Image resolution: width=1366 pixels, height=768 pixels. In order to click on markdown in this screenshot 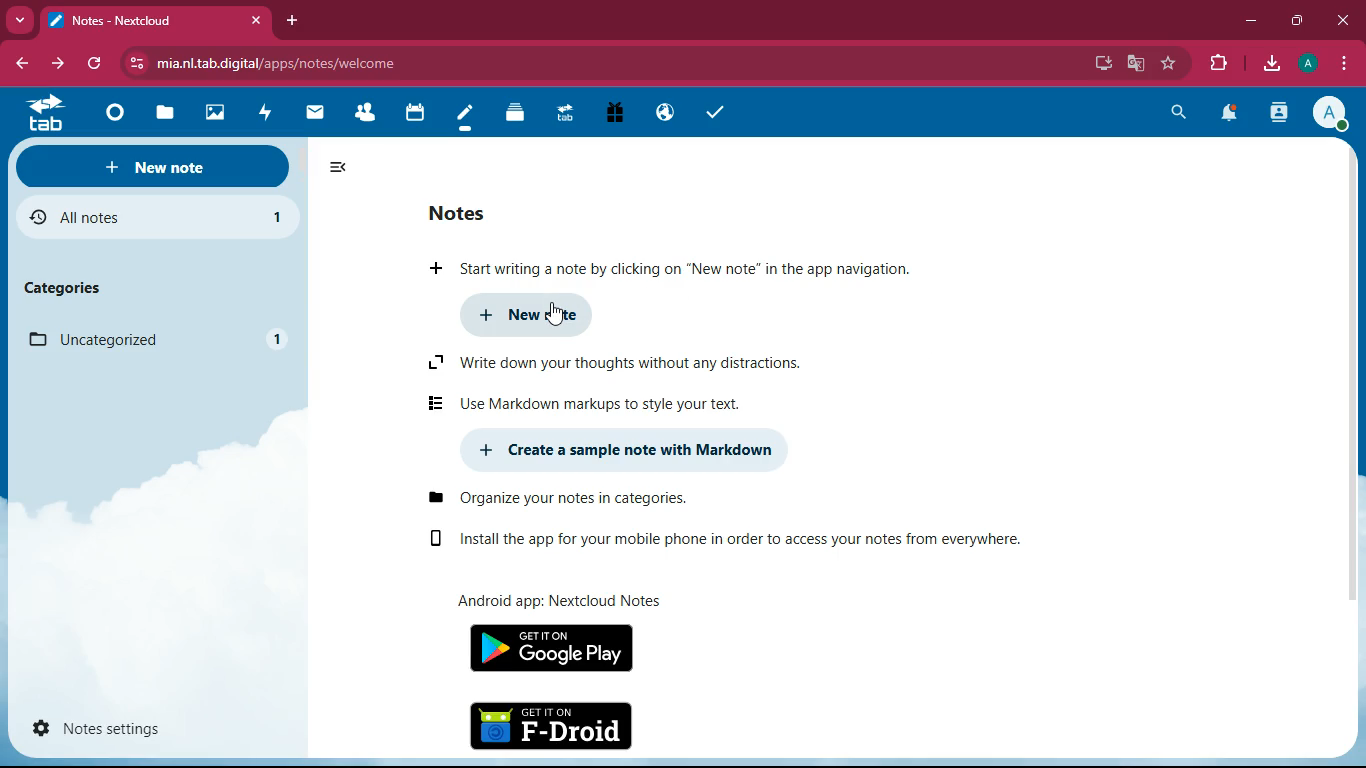, I will do `click(583, 406)`.